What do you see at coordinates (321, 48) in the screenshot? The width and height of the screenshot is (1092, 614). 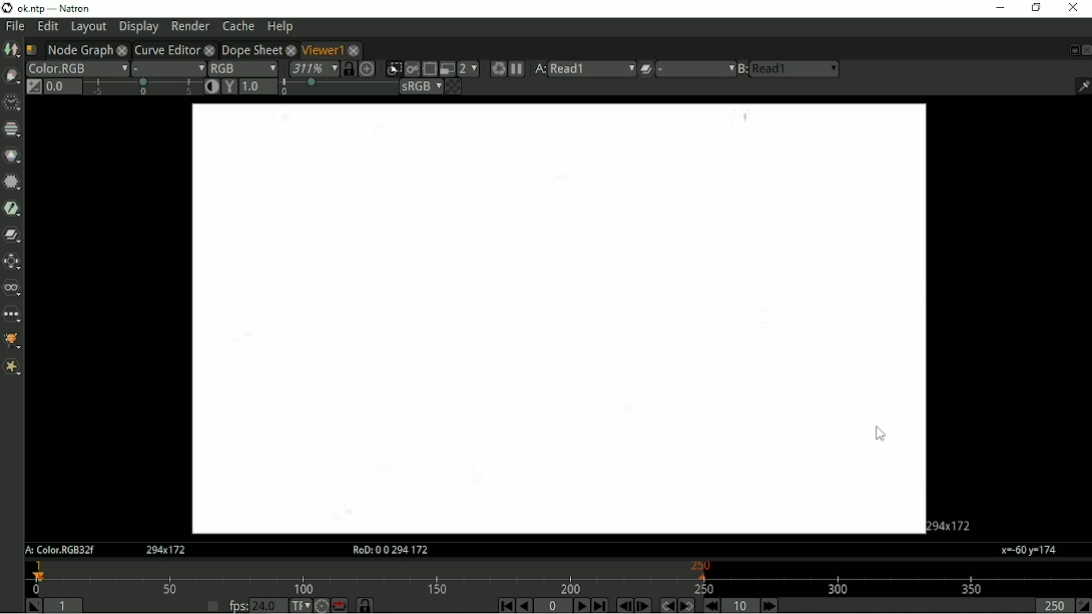 I see `Viewer1` at bounding box center [321, 48].